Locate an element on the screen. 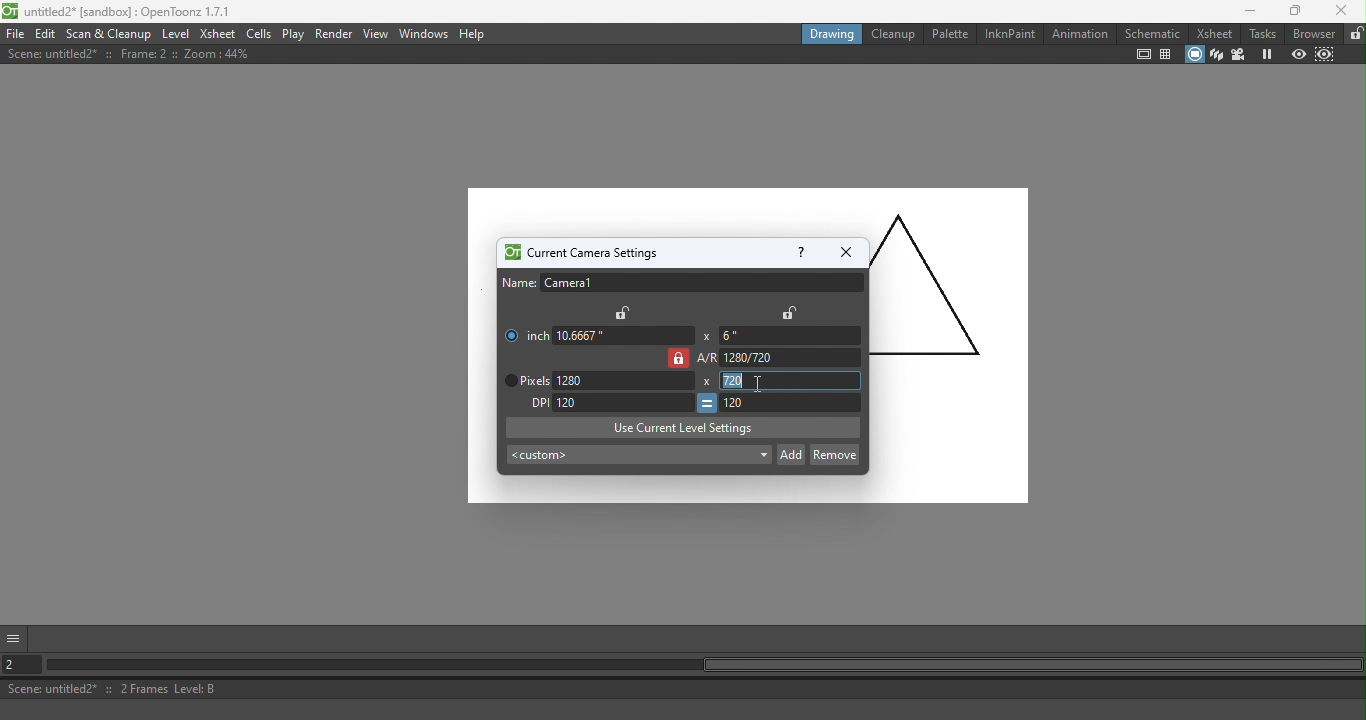 This screenshot has width=1366, height=720. enter dimension is located at coordinates (623, 335).